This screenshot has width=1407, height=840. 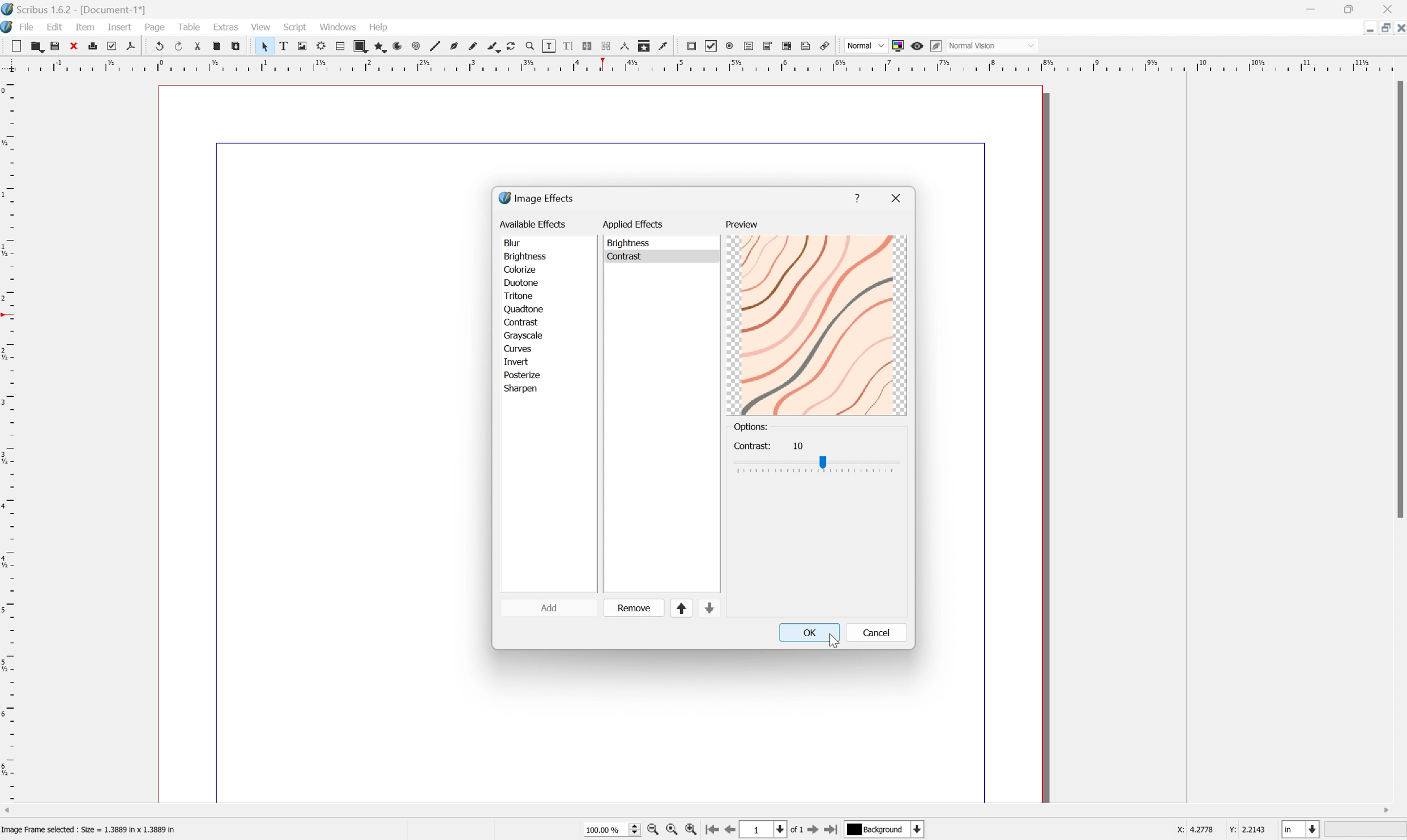 I want to click on preview, so click(x=742, y=226).